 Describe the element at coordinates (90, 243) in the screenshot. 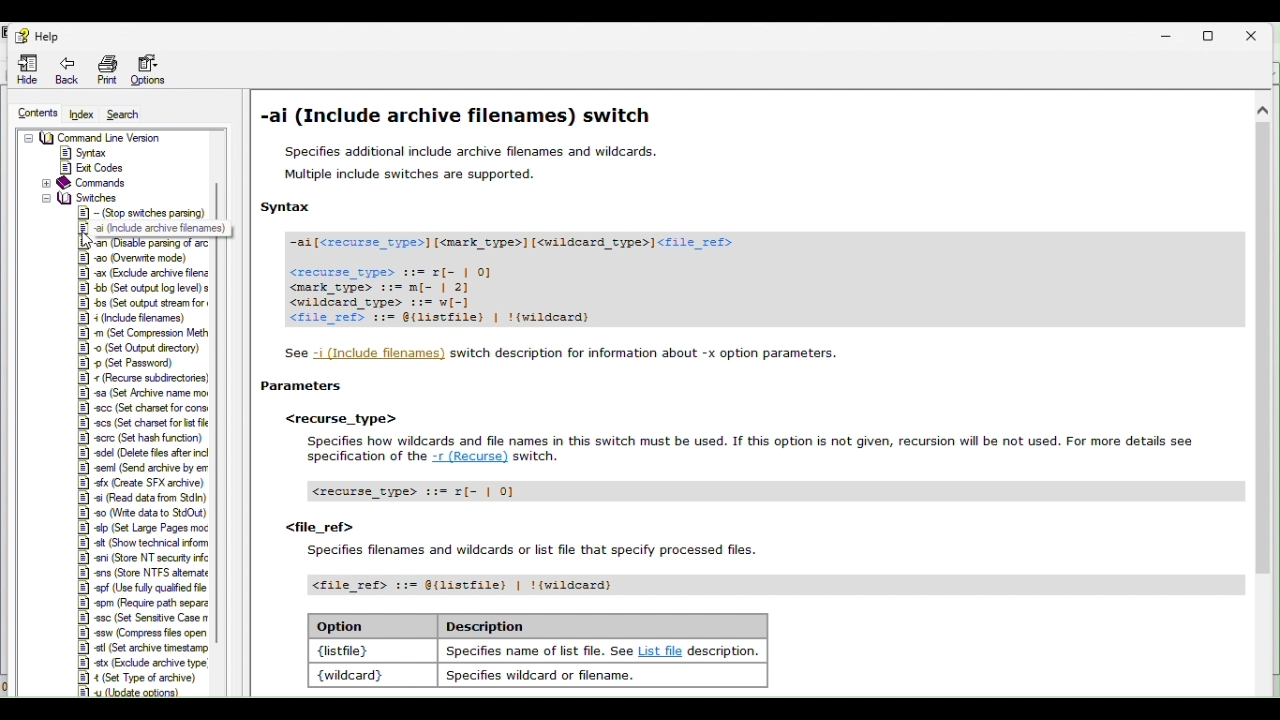

I see `Cursor` at that location.